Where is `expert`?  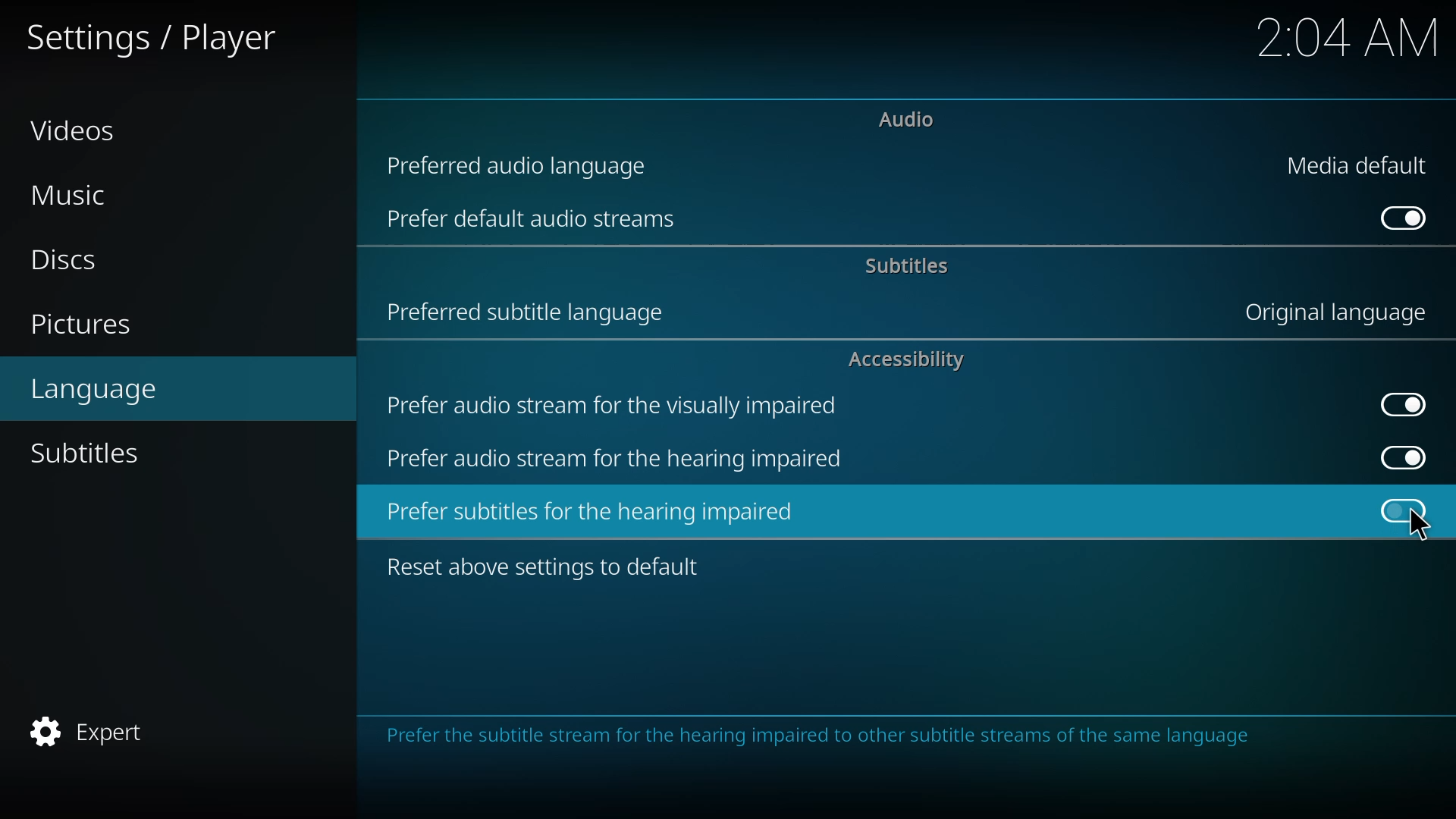 expert is located at coordinates (99, 730).